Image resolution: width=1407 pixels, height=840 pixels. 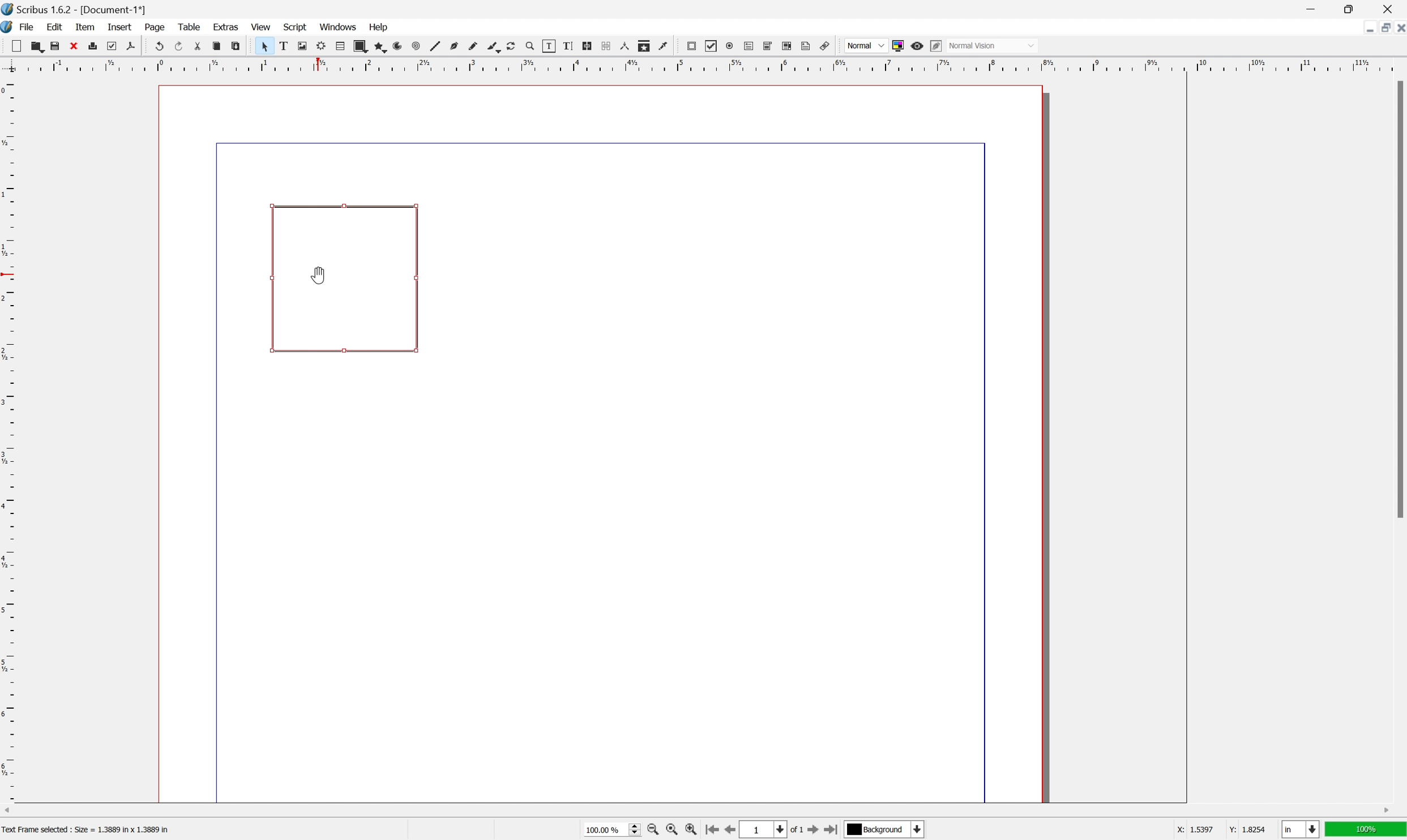 I want to click on view, so click(x=261, y=28).